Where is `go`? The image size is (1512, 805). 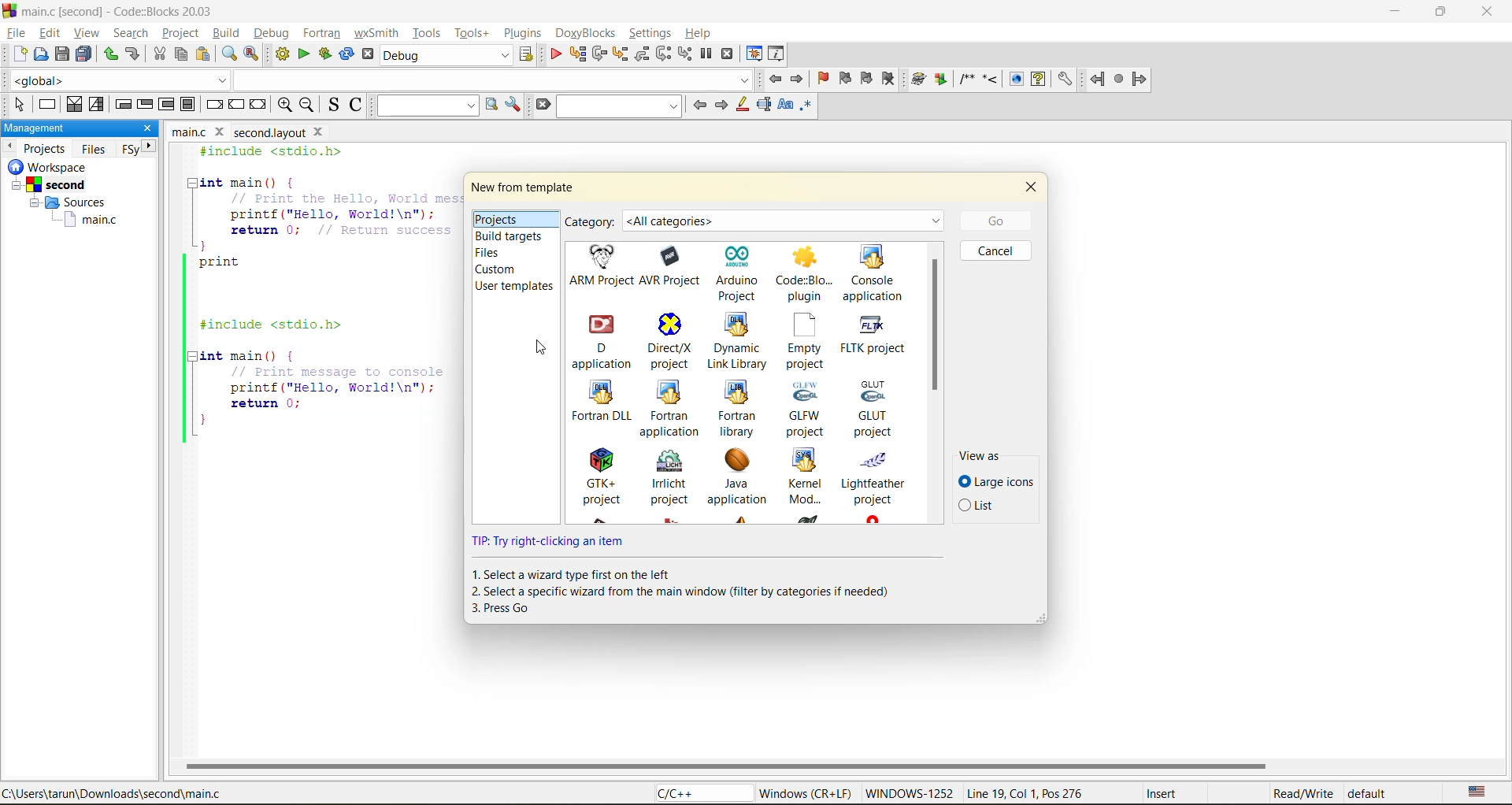 go is located at coordinates (992, 220).